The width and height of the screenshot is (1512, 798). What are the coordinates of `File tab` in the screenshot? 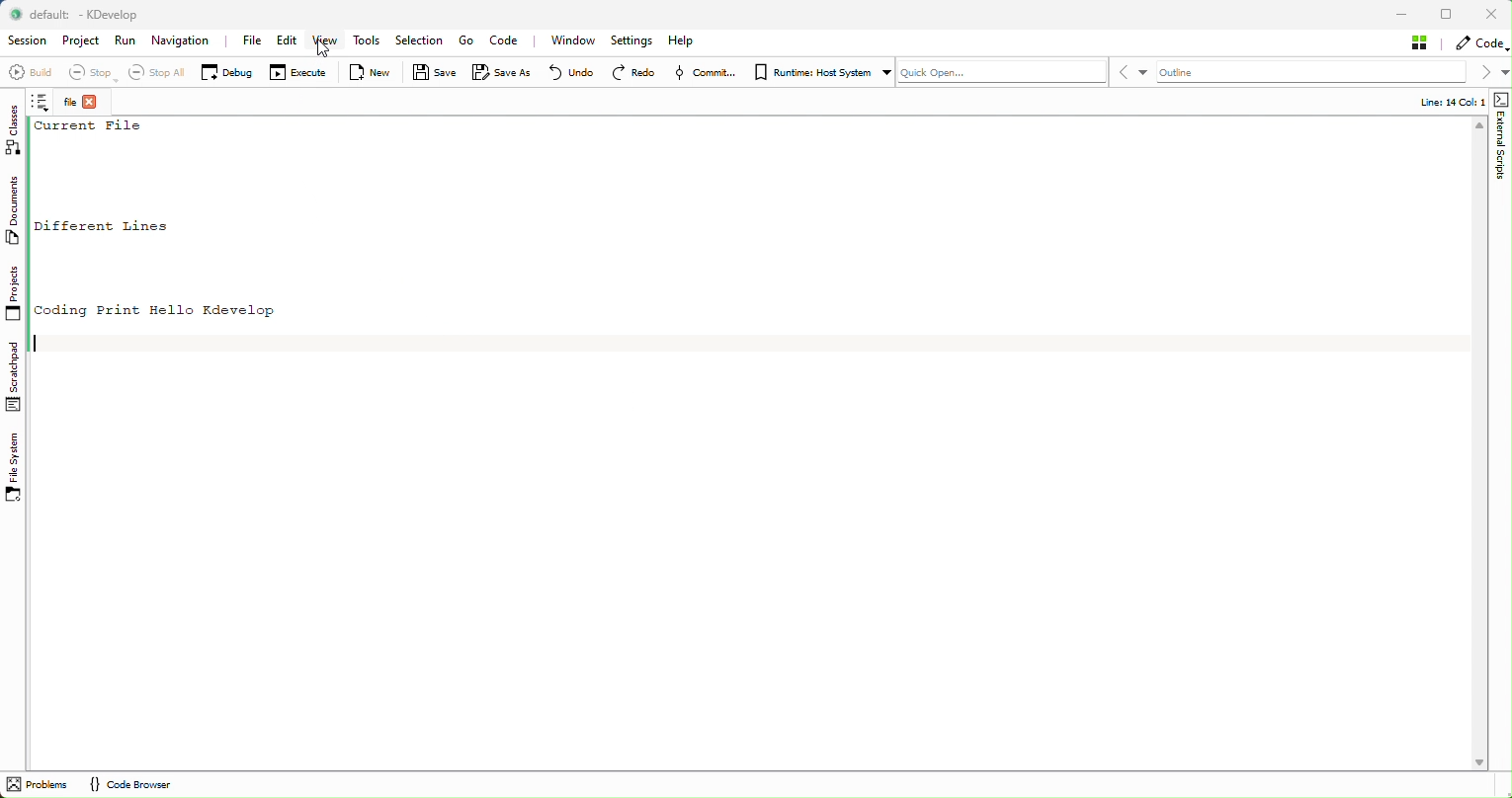 It's located at (83, 104).